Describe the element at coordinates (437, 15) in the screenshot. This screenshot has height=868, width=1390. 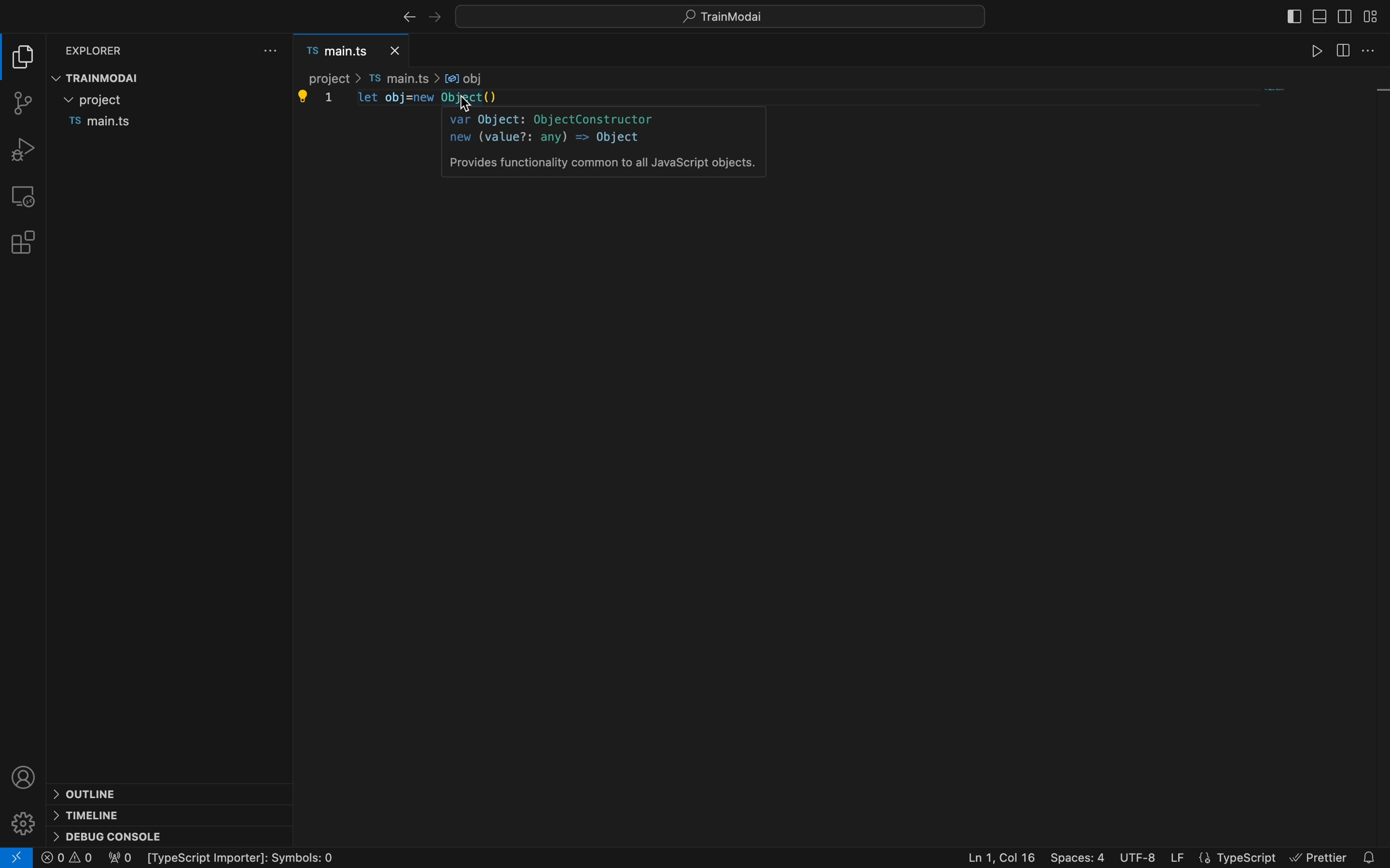
I see `left arrow` at that location.